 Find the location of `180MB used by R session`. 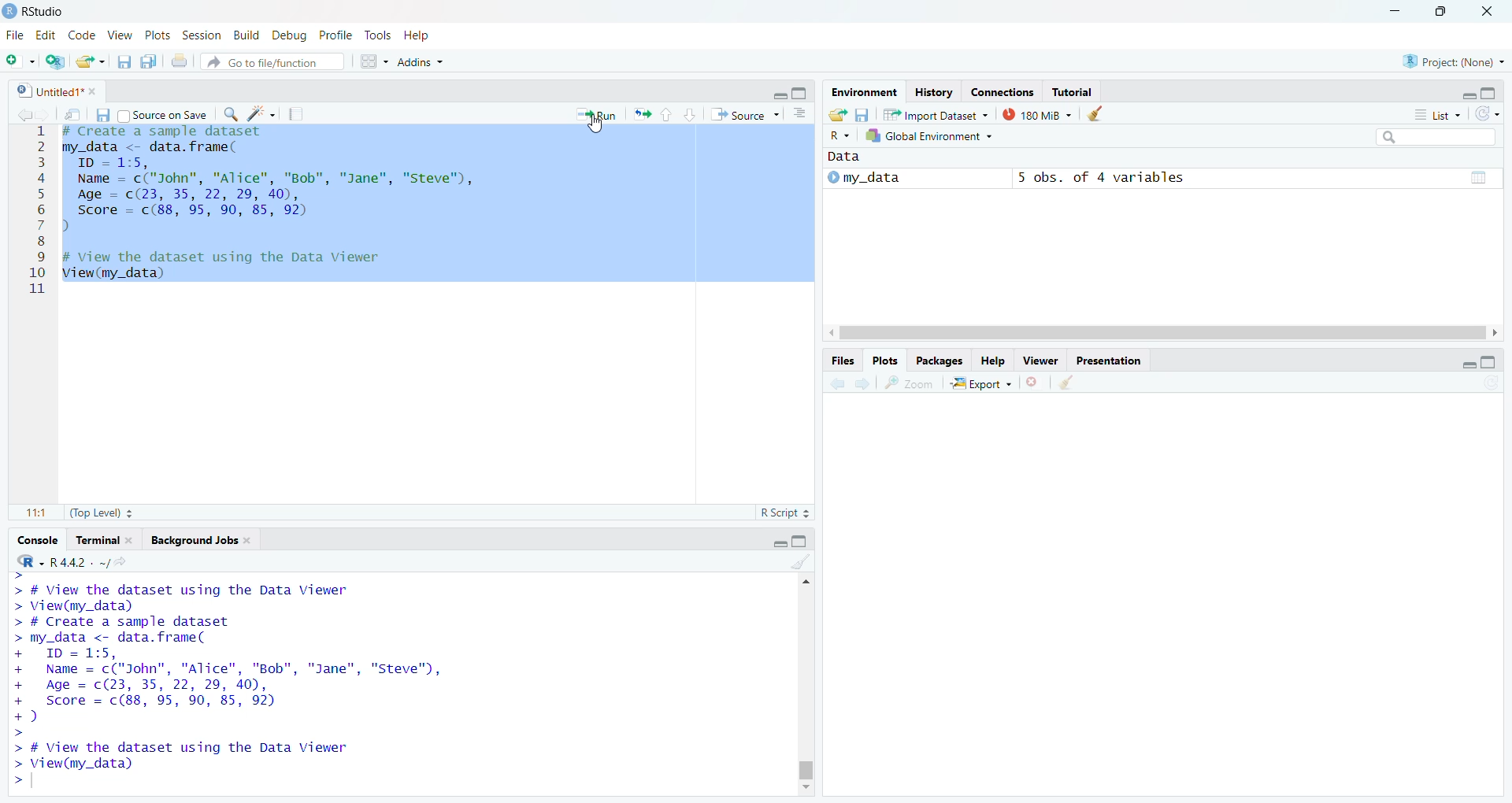

180MB used by R session is located at coordinates (1035, 115).